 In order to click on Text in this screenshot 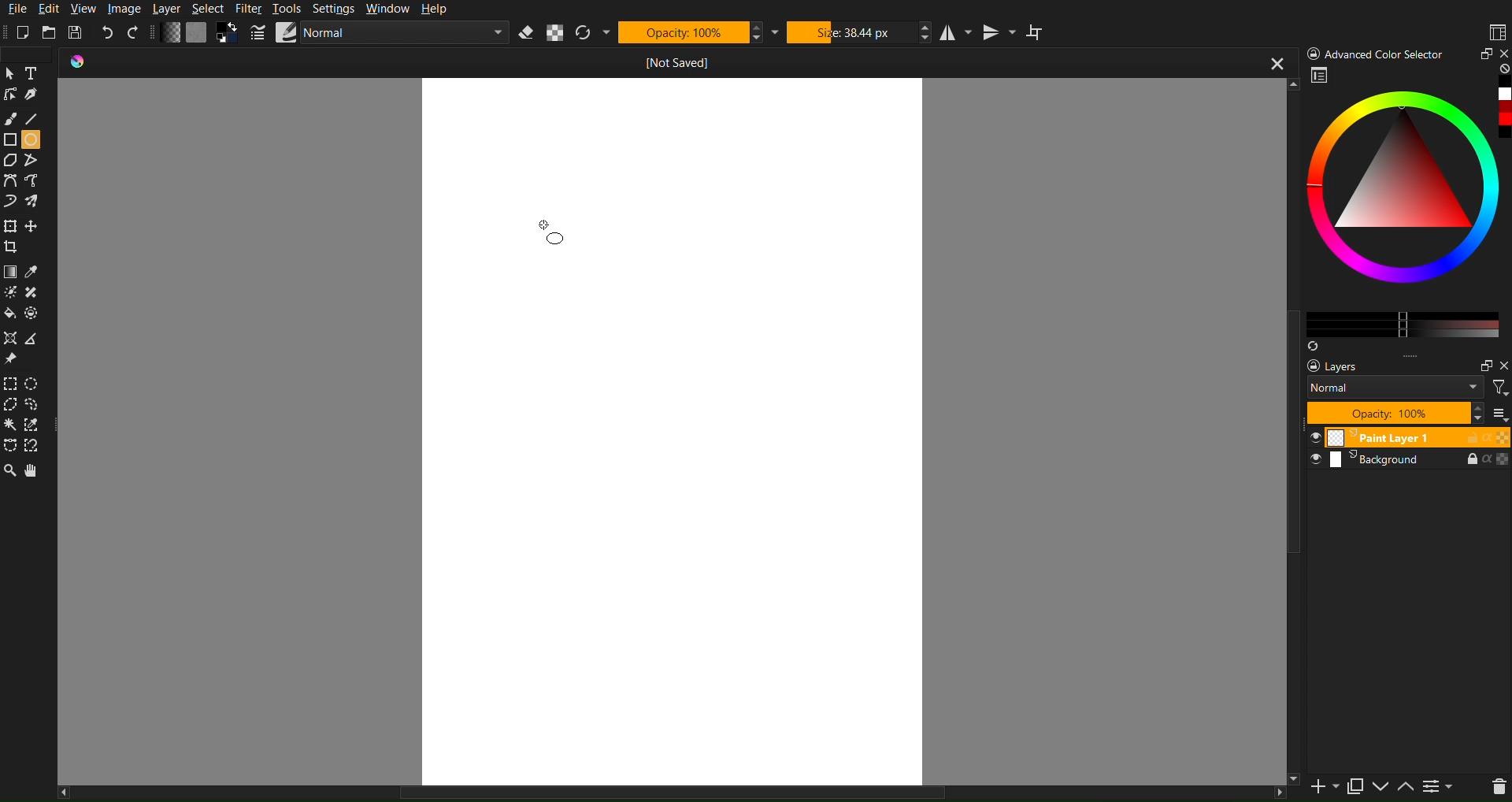, I will do `click(38, 75)`.